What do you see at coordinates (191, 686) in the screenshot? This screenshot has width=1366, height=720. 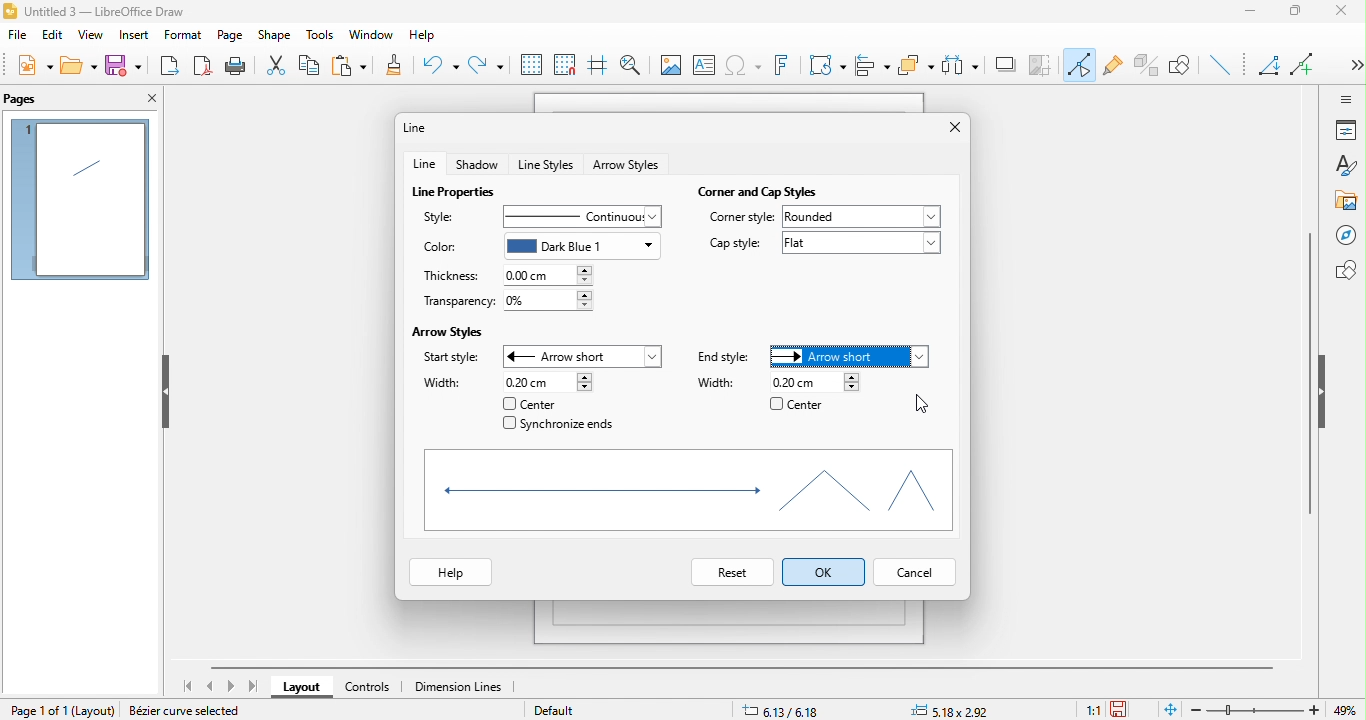 I see `first page` at bounding box center [191, 686].